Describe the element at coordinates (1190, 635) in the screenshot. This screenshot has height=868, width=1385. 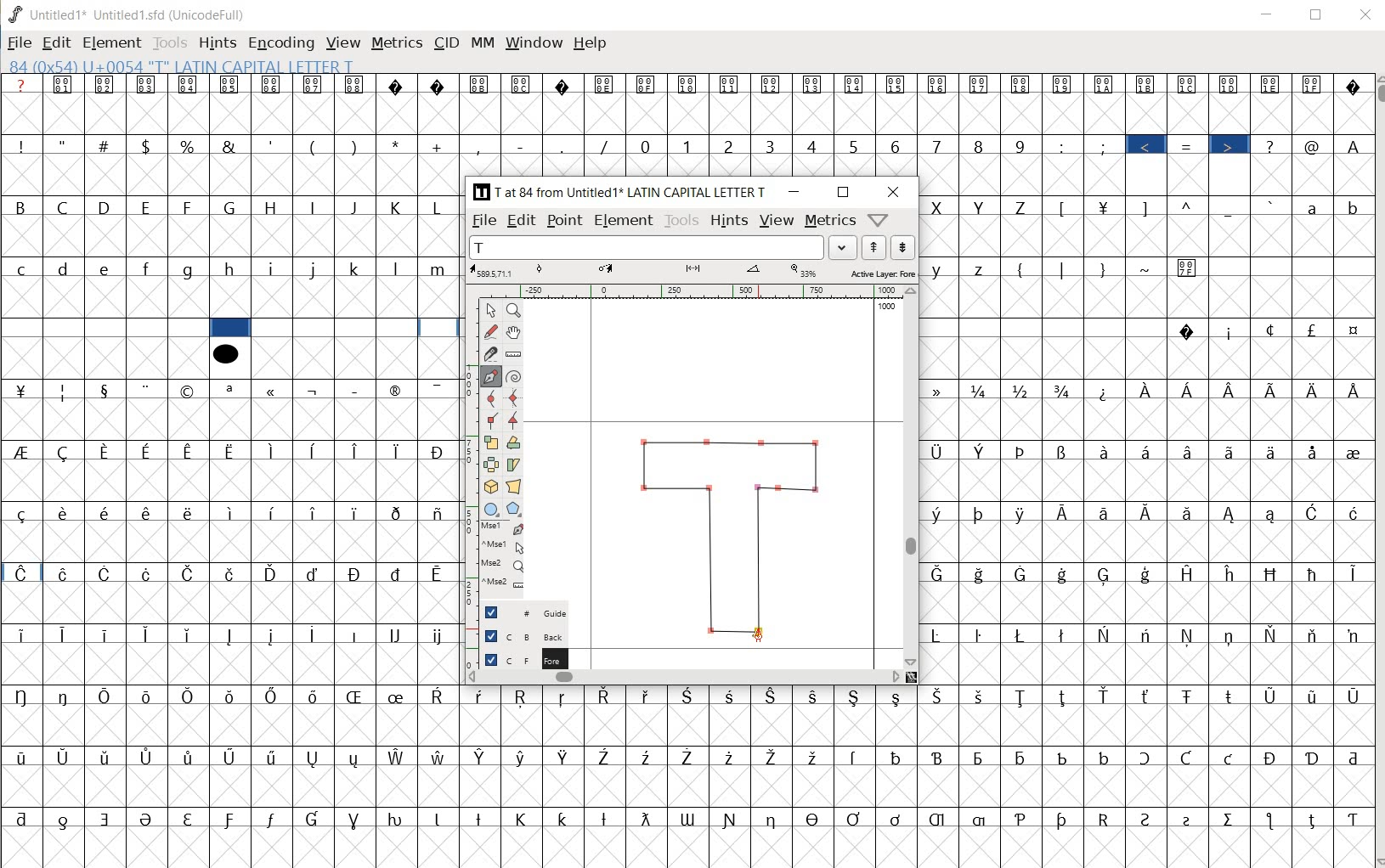
I see `Symbol` at that location.